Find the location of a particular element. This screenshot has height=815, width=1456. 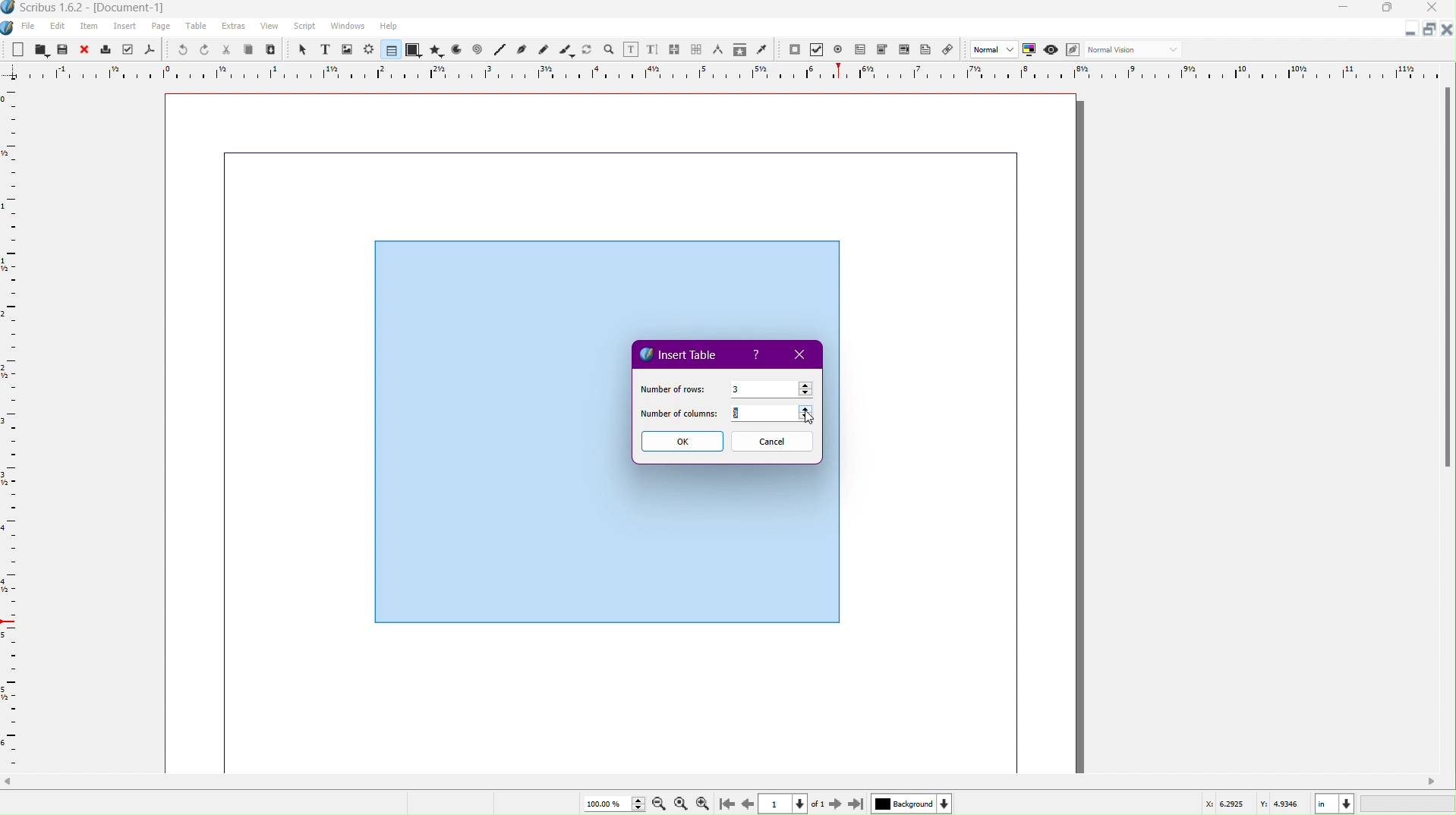

Window is located at coordinates (345, 28).